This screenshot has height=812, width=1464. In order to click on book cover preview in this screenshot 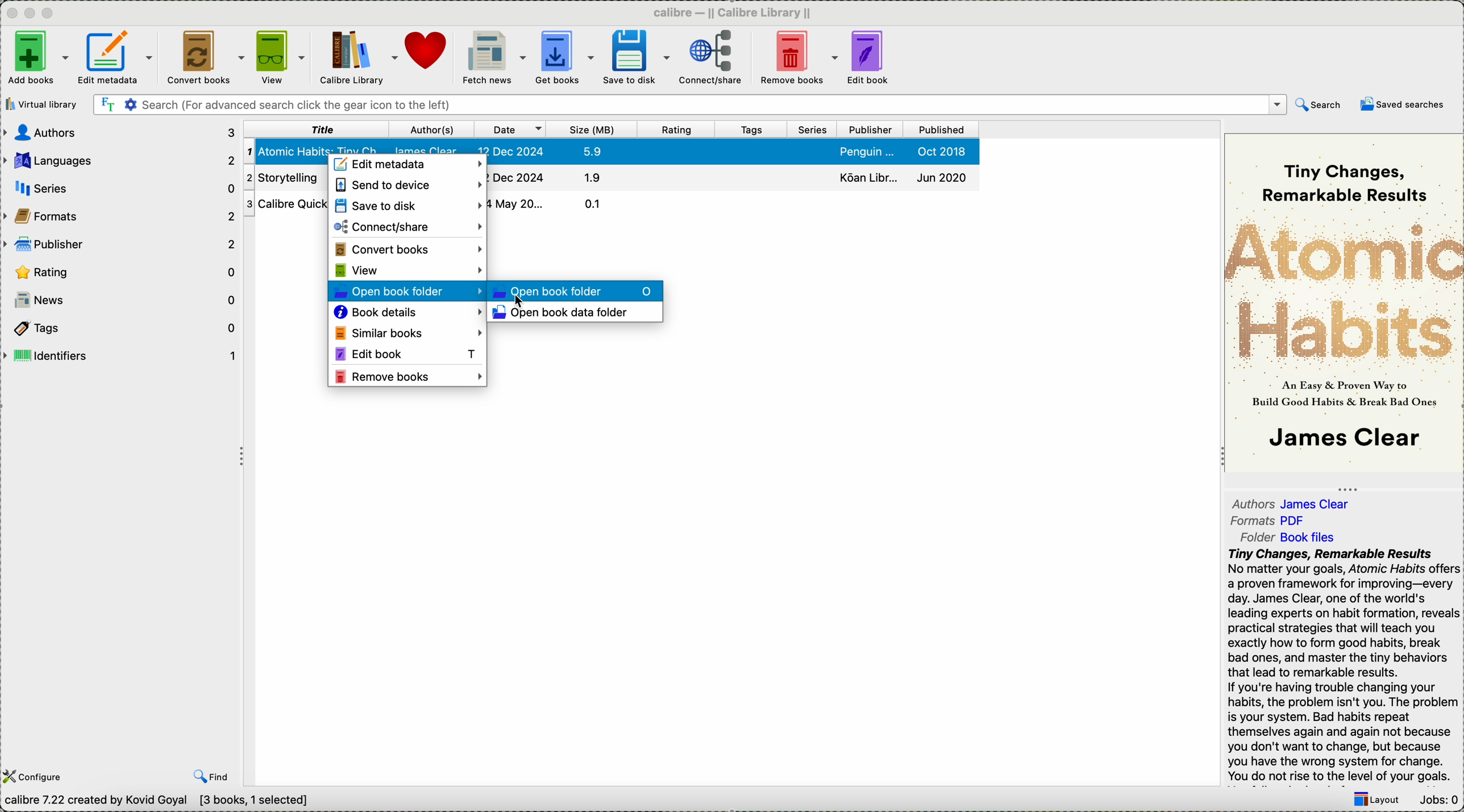, I will do `click(1344, 302)`.